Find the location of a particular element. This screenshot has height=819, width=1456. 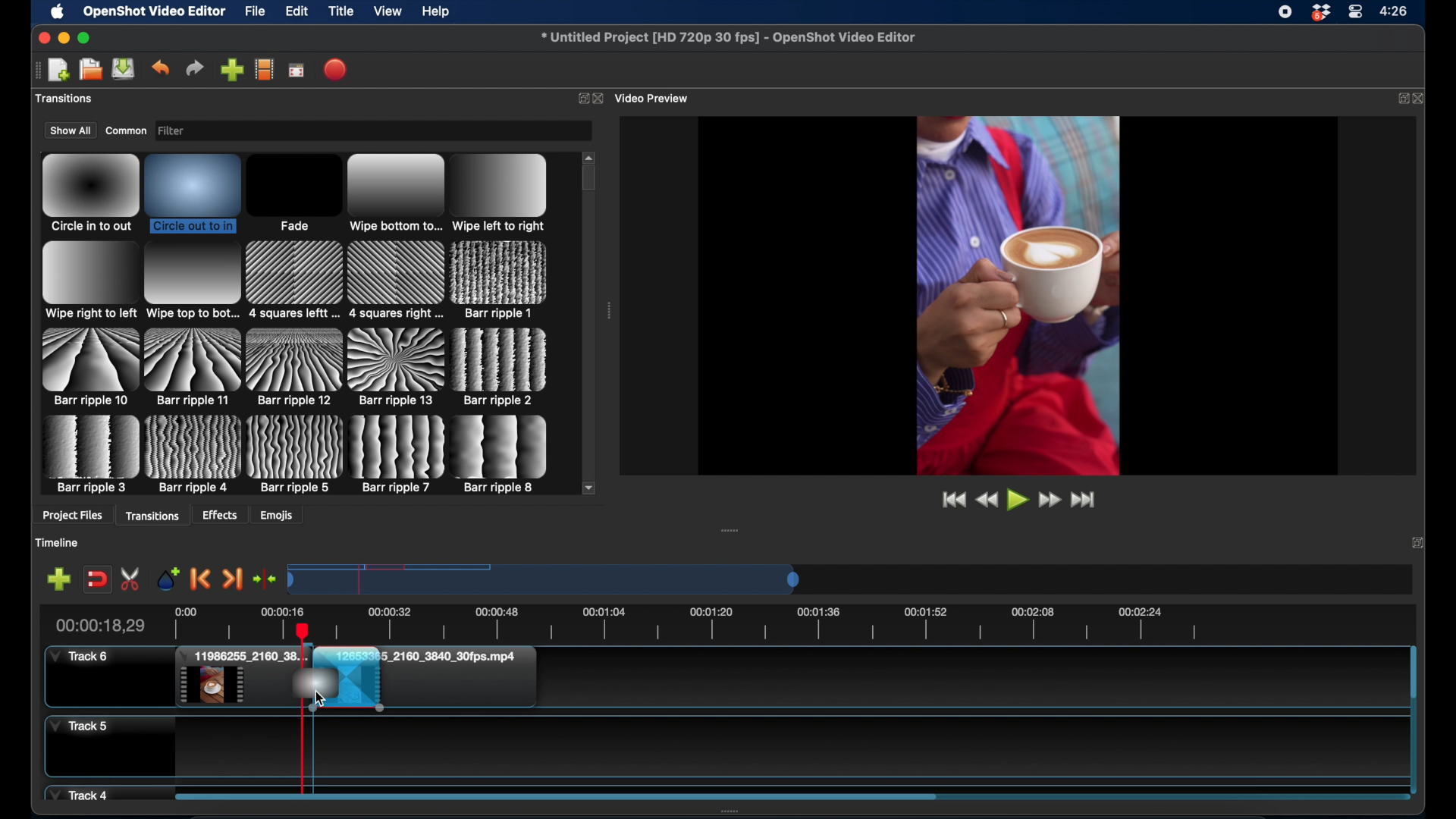

transition is located at coordinates (395, 280).